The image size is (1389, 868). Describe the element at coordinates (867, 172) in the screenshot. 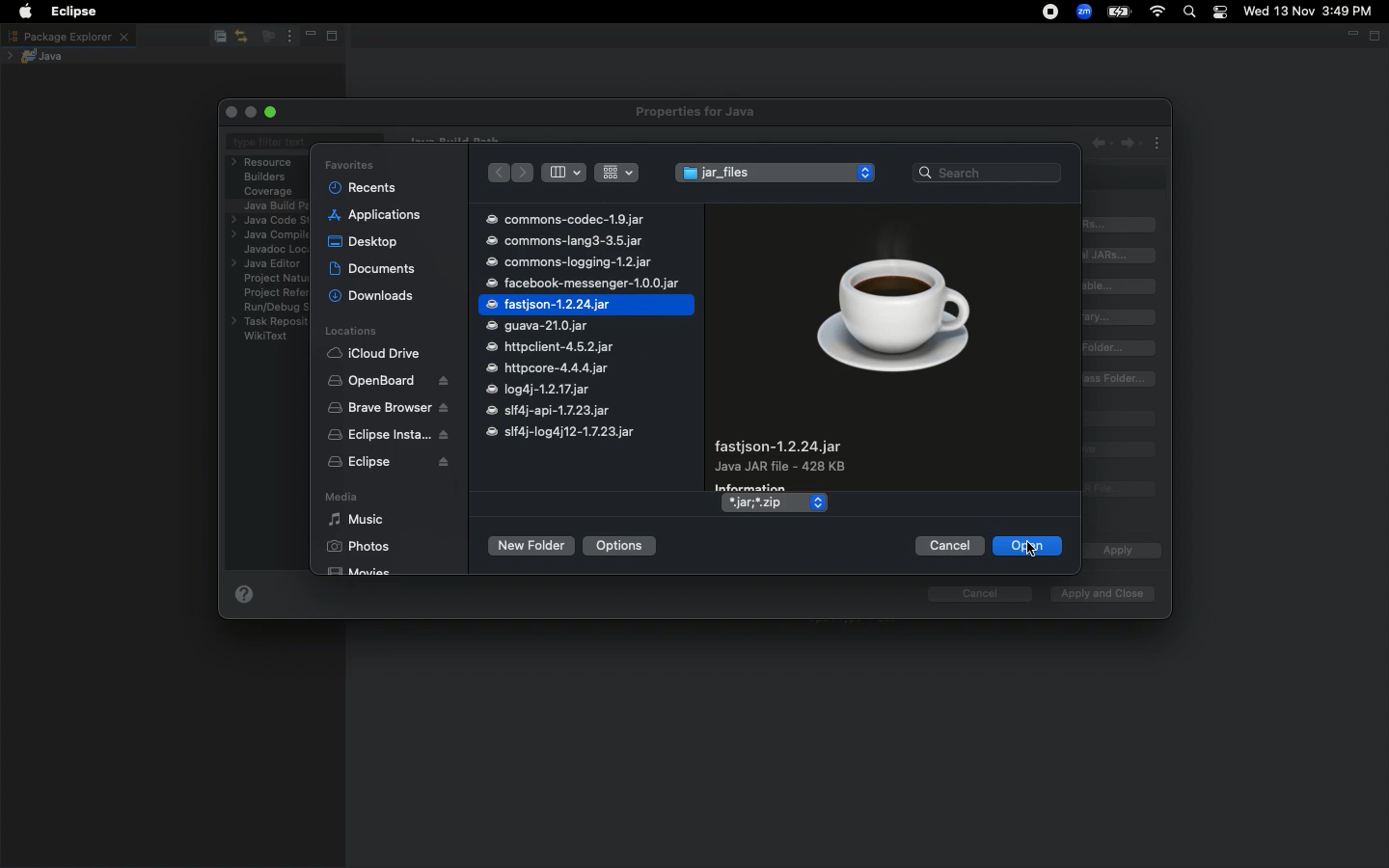

I see `increase/decrease arrows` at that location.